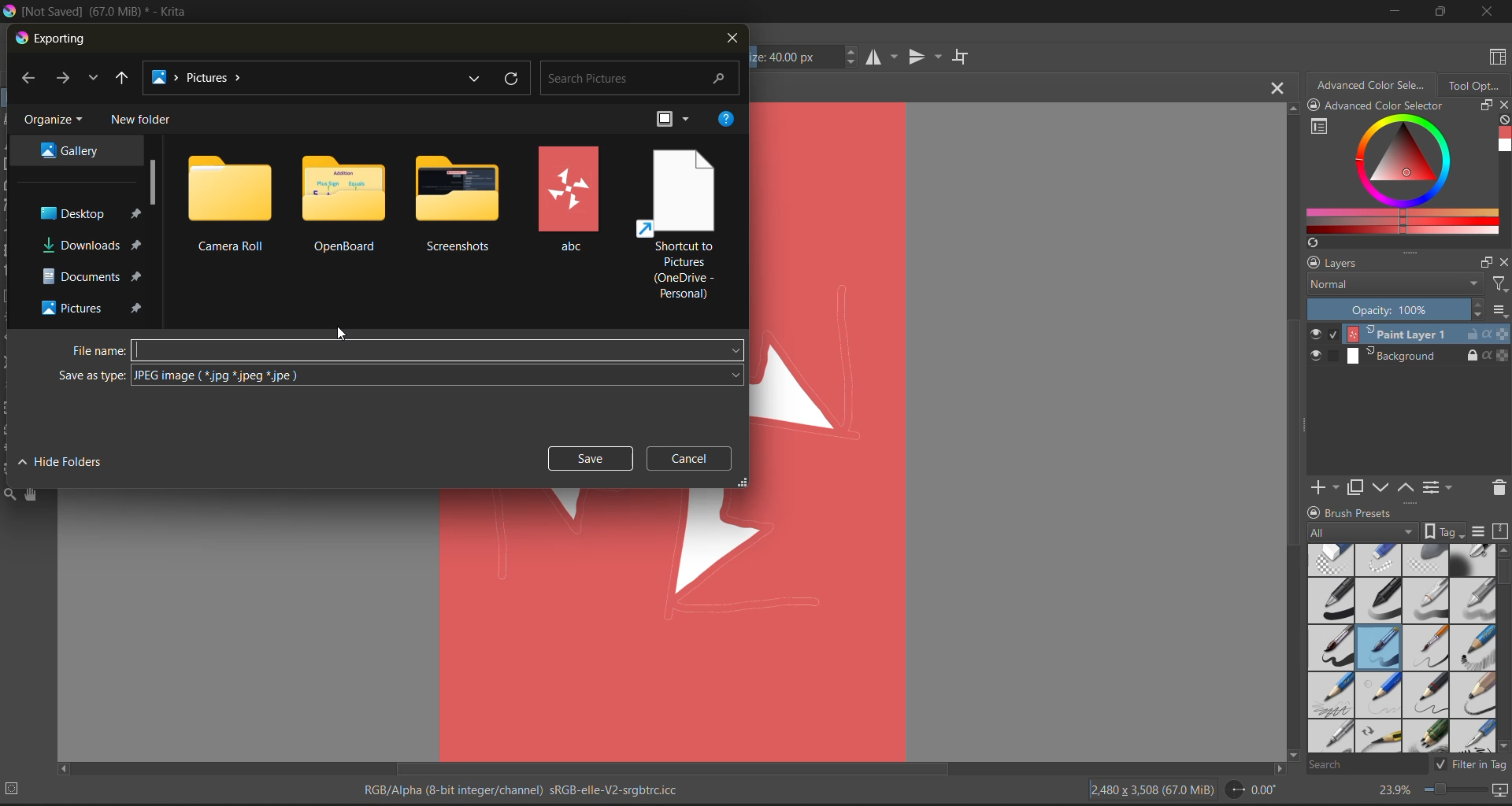  Describe the element at coordinates (1487, 13) in the screenshot. I see `close` at that location.